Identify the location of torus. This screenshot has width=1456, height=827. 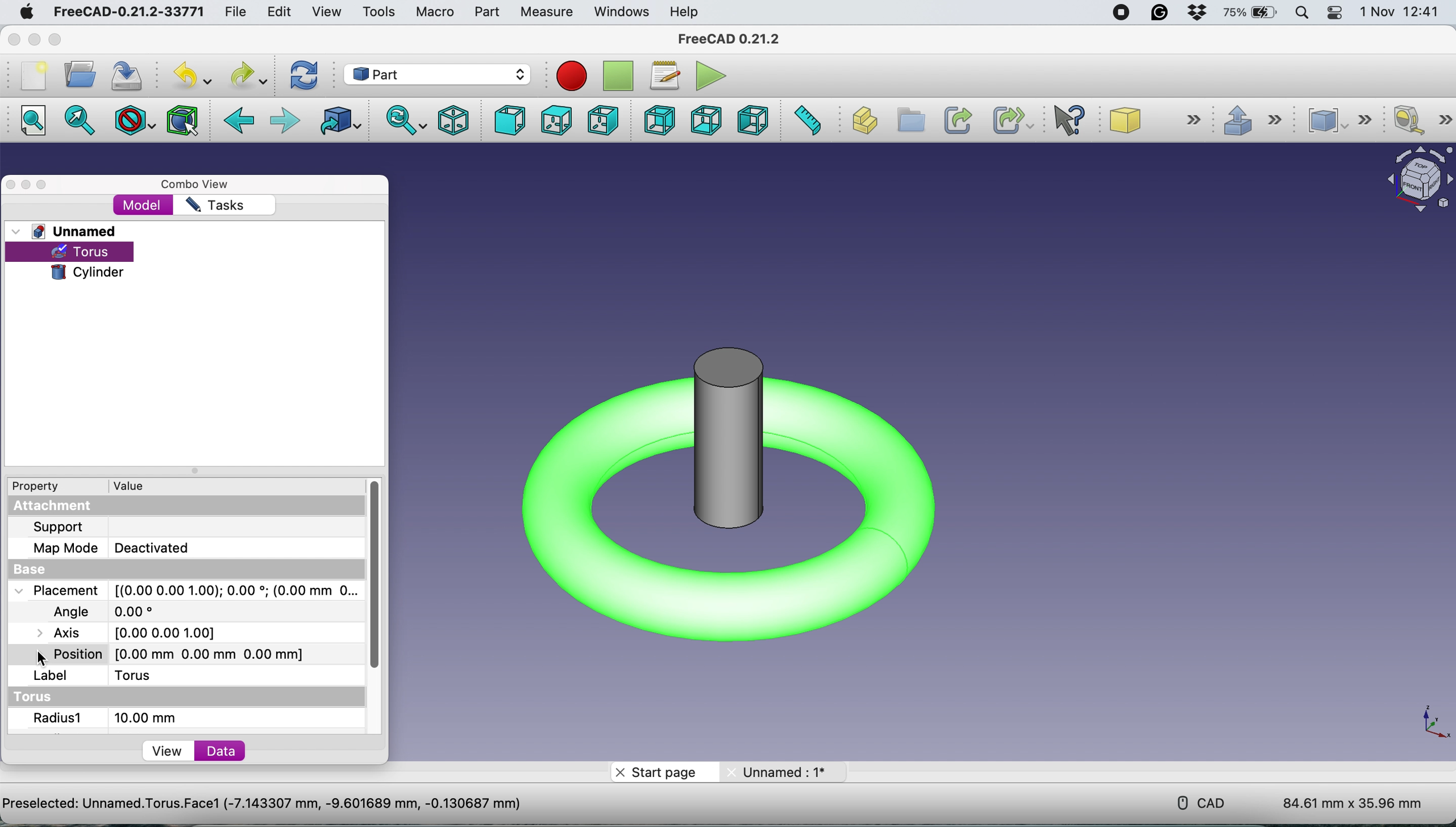
(43, 697).